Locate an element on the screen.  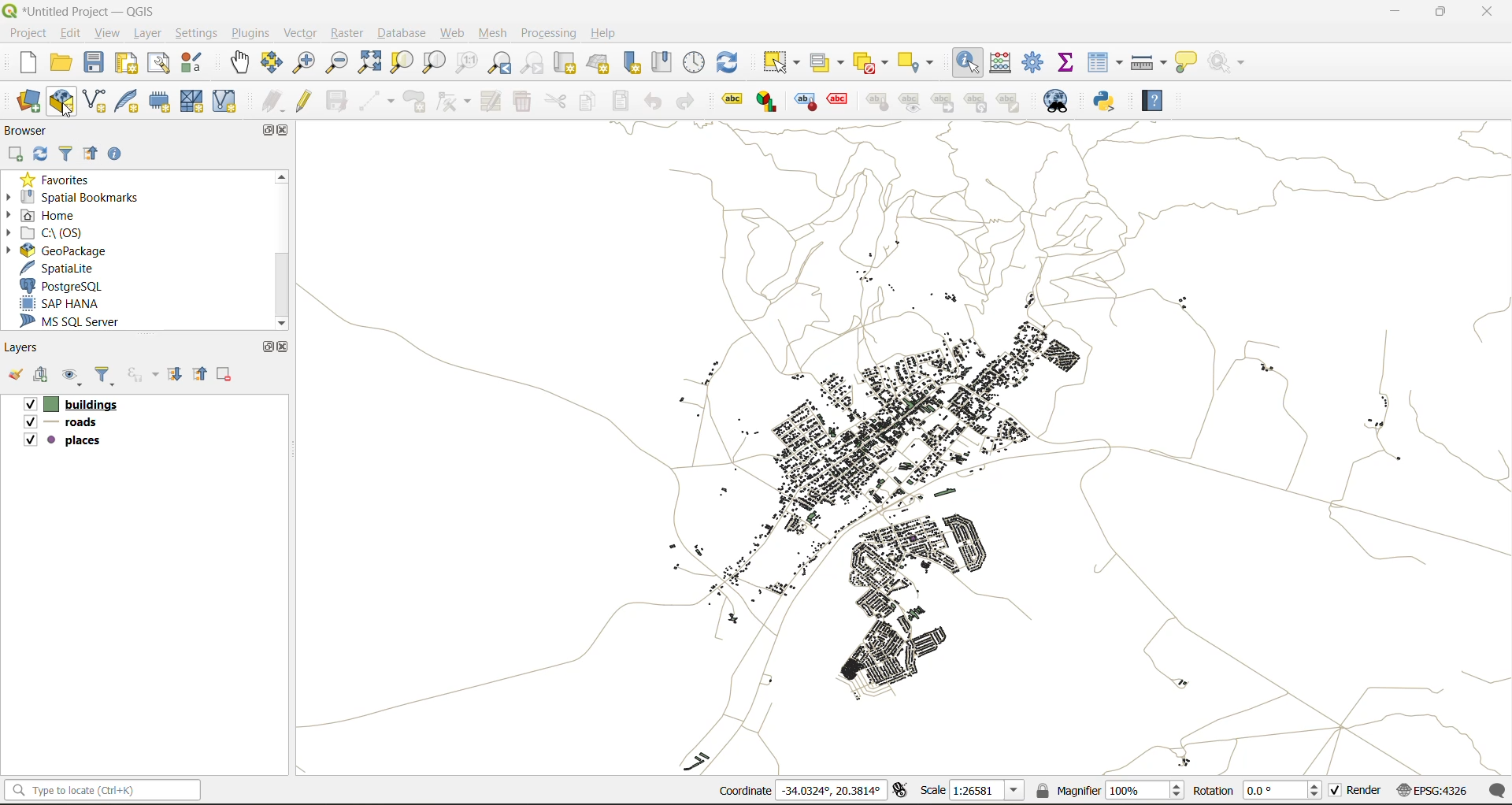
effect is located at coordinates (838, 101).